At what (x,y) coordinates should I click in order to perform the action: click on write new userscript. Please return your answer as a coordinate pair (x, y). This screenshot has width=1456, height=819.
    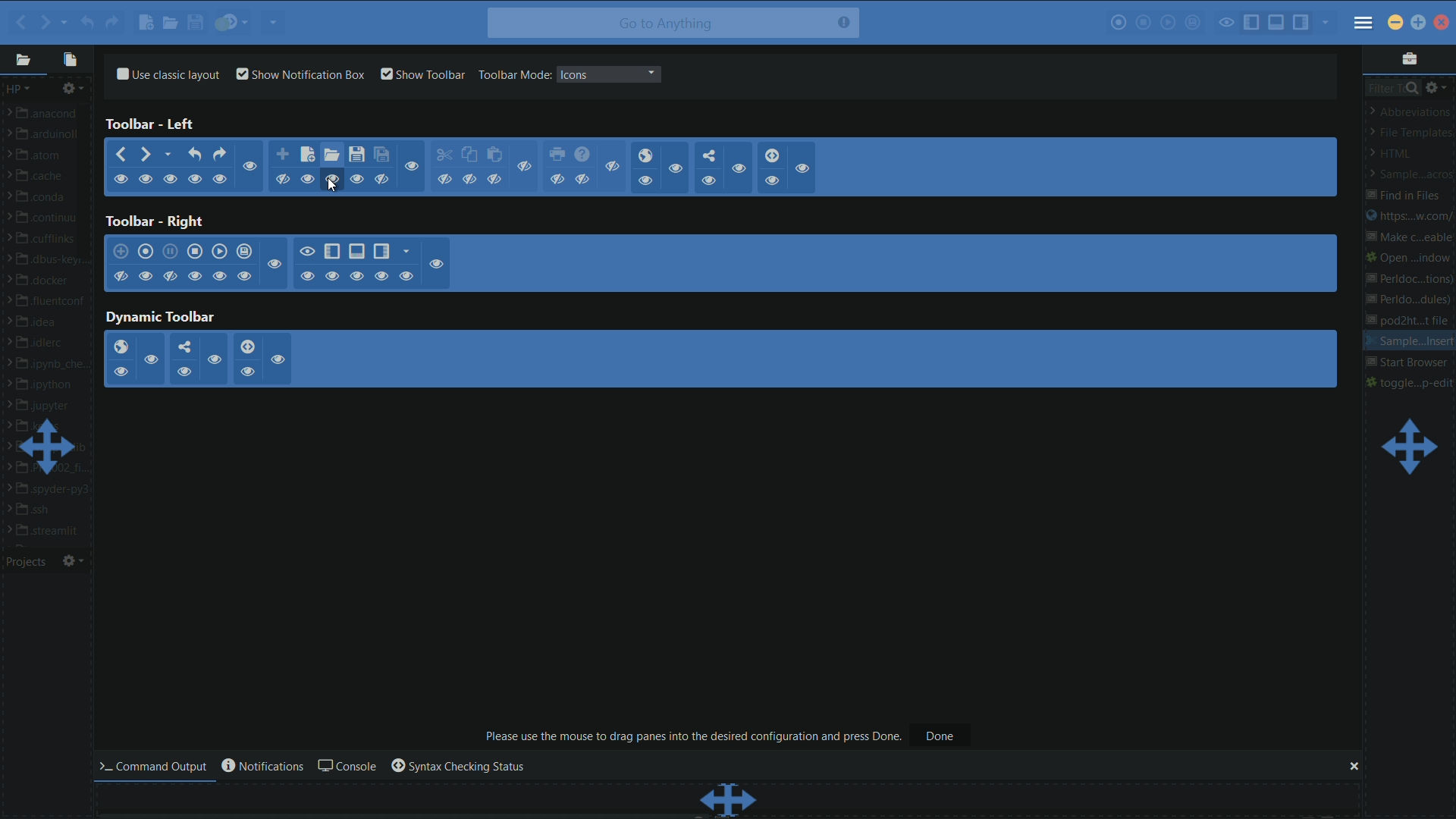
    Looking at the image, I should click on (121, 252).